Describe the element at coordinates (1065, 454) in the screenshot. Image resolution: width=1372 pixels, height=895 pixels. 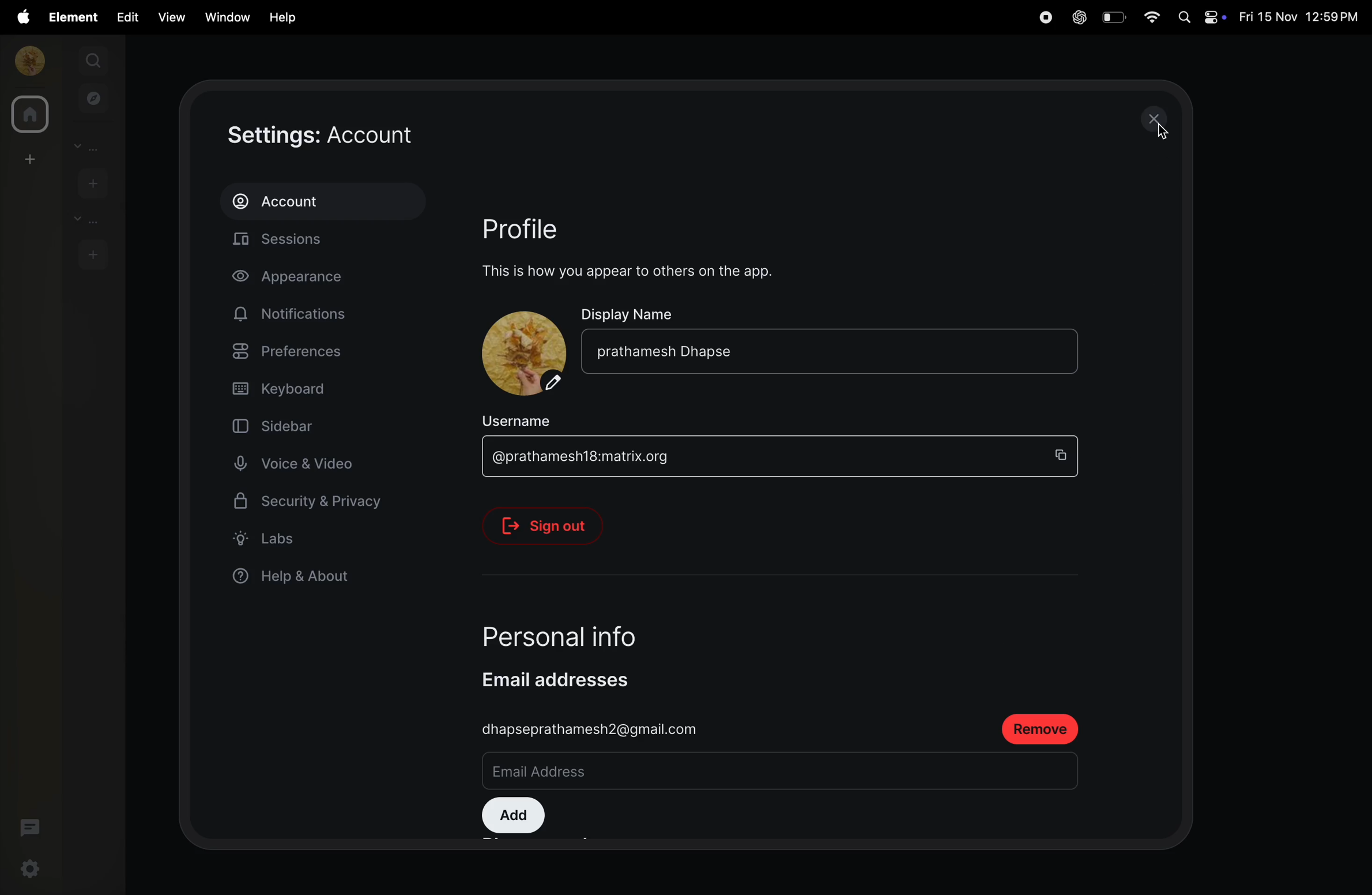
I see `copy` at that location.